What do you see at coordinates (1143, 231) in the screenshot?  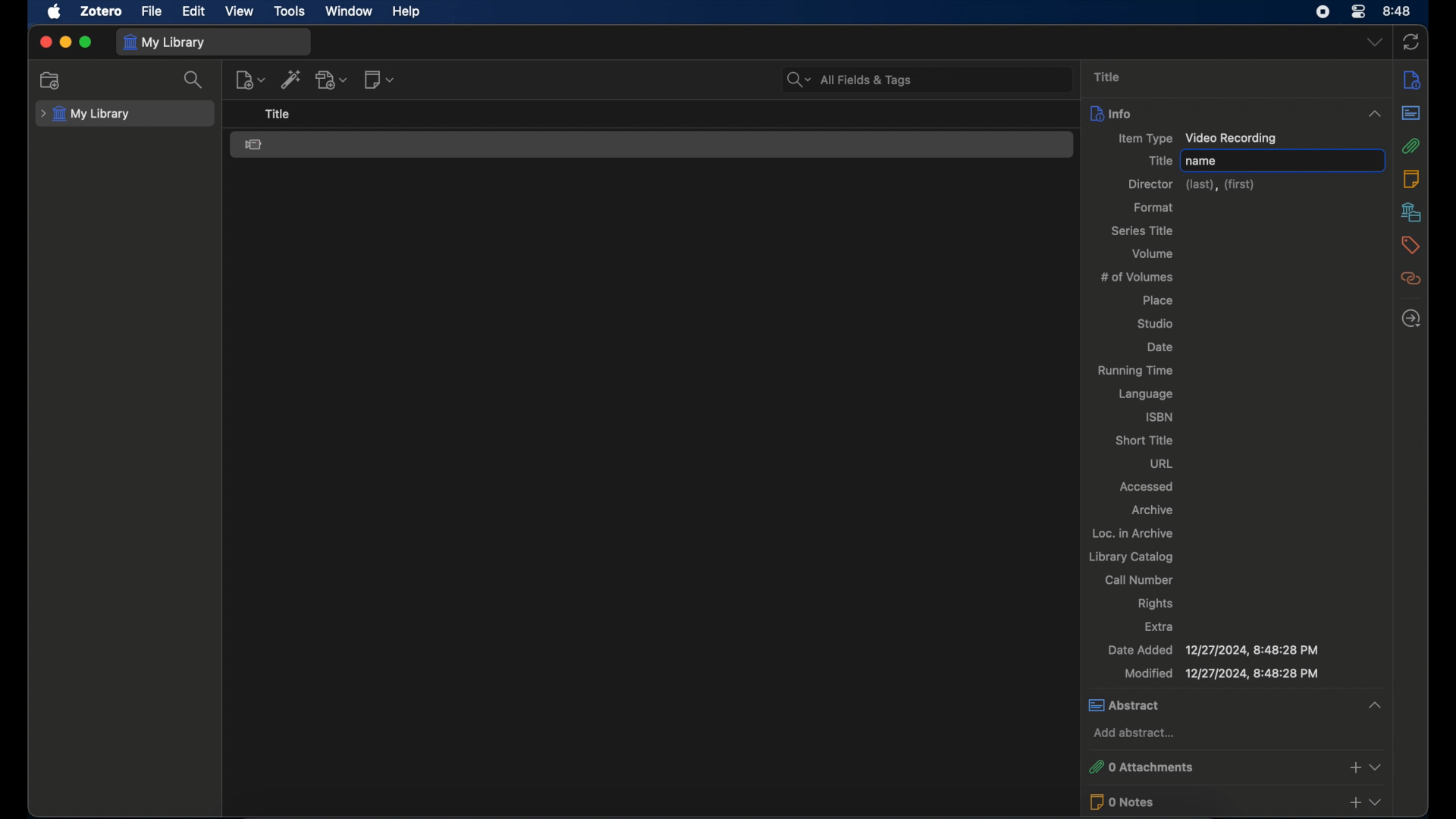 I see `series title` at bounding box center [1143, 231].